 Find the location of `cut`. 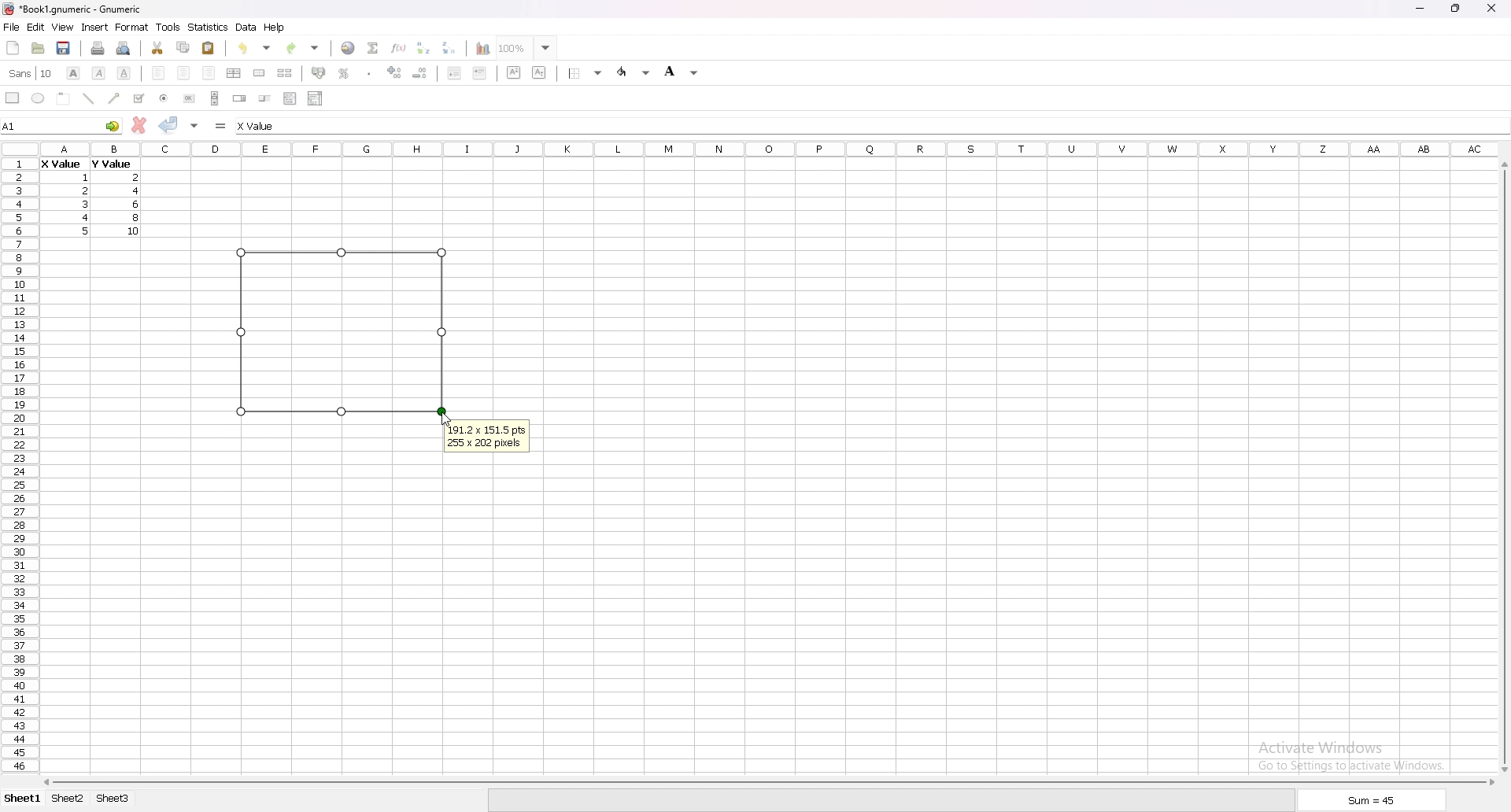

cut is located at coordinates (158, 47).